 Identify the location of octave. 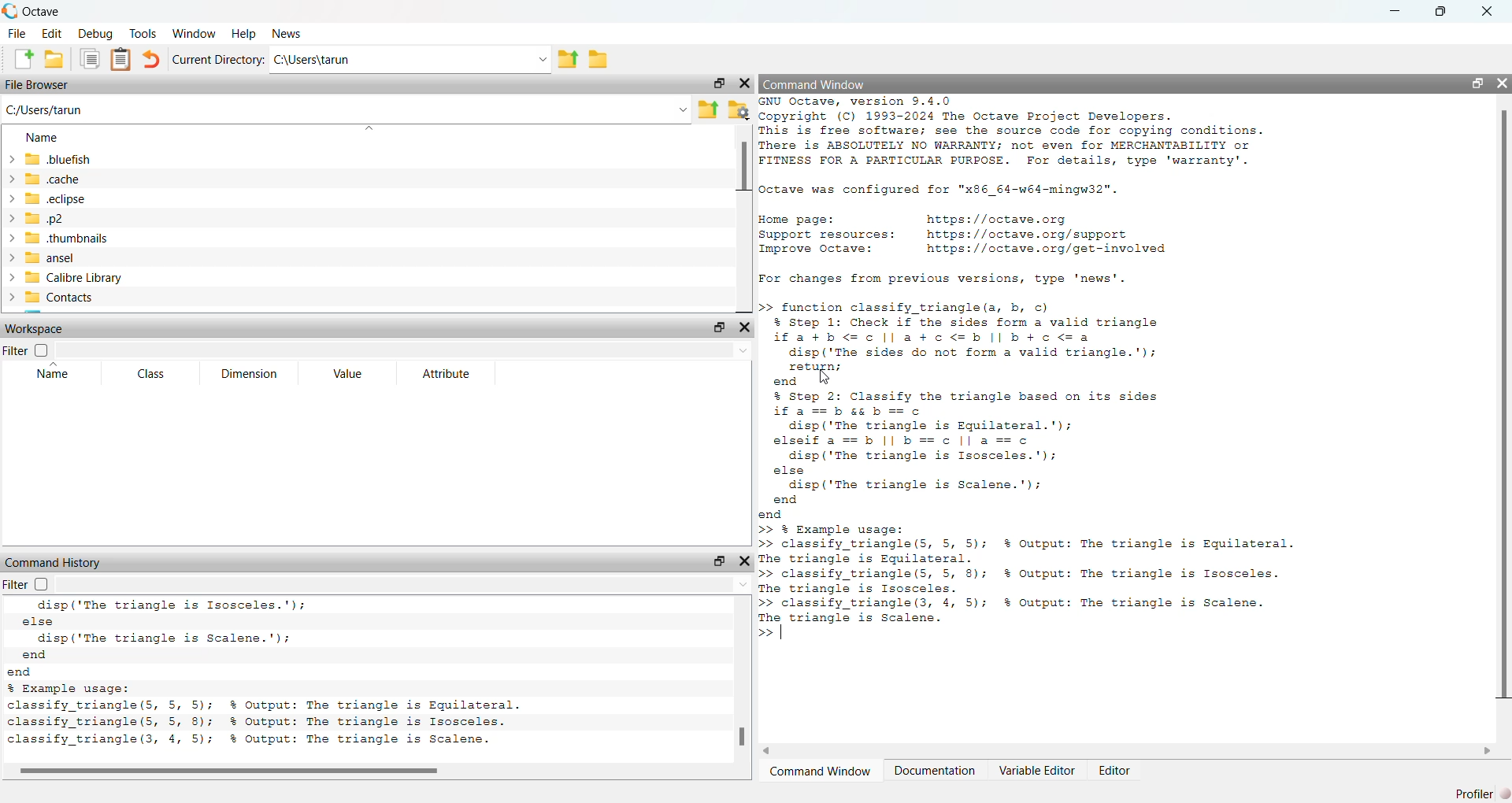
(54, 9).